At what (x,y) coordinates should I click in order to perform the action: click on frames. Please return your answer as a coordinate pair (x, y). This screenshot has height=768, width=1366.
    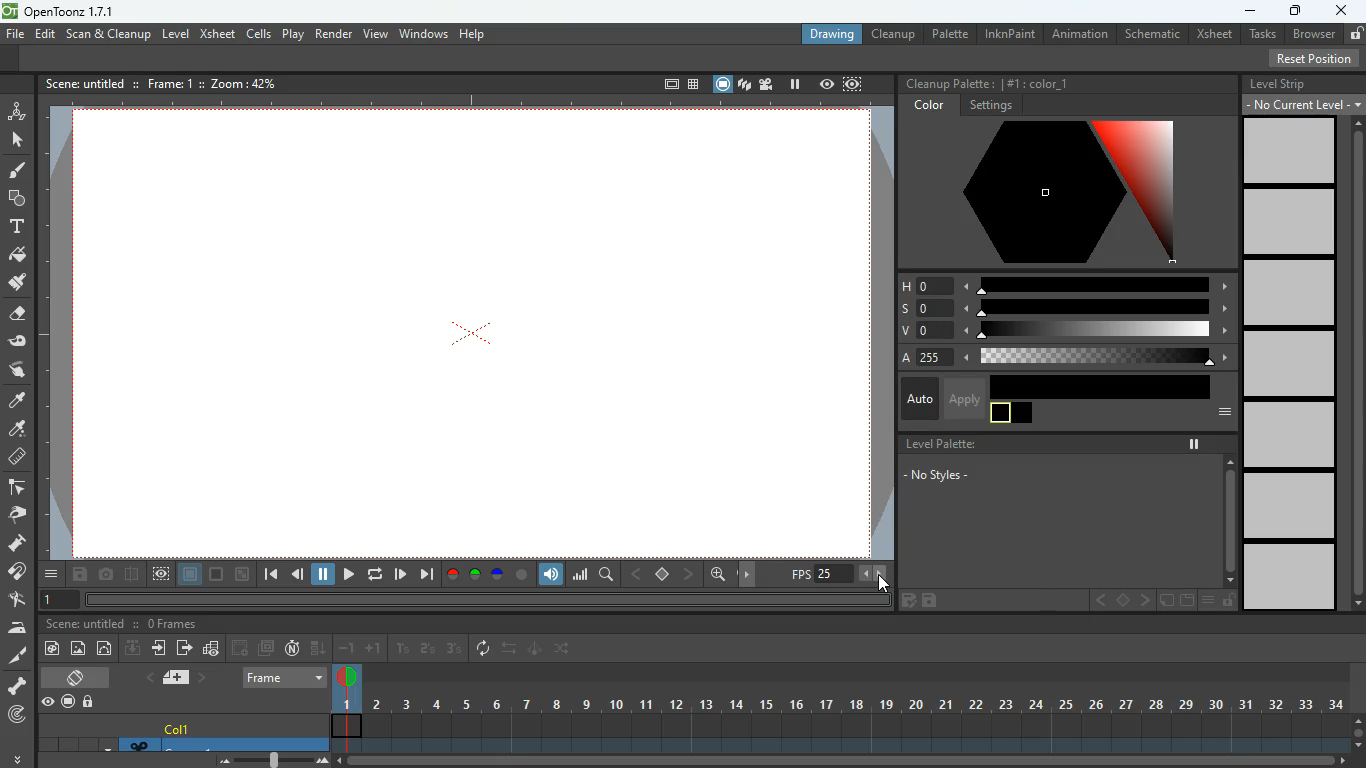
    Looking at the image, I should click on (839, 708).